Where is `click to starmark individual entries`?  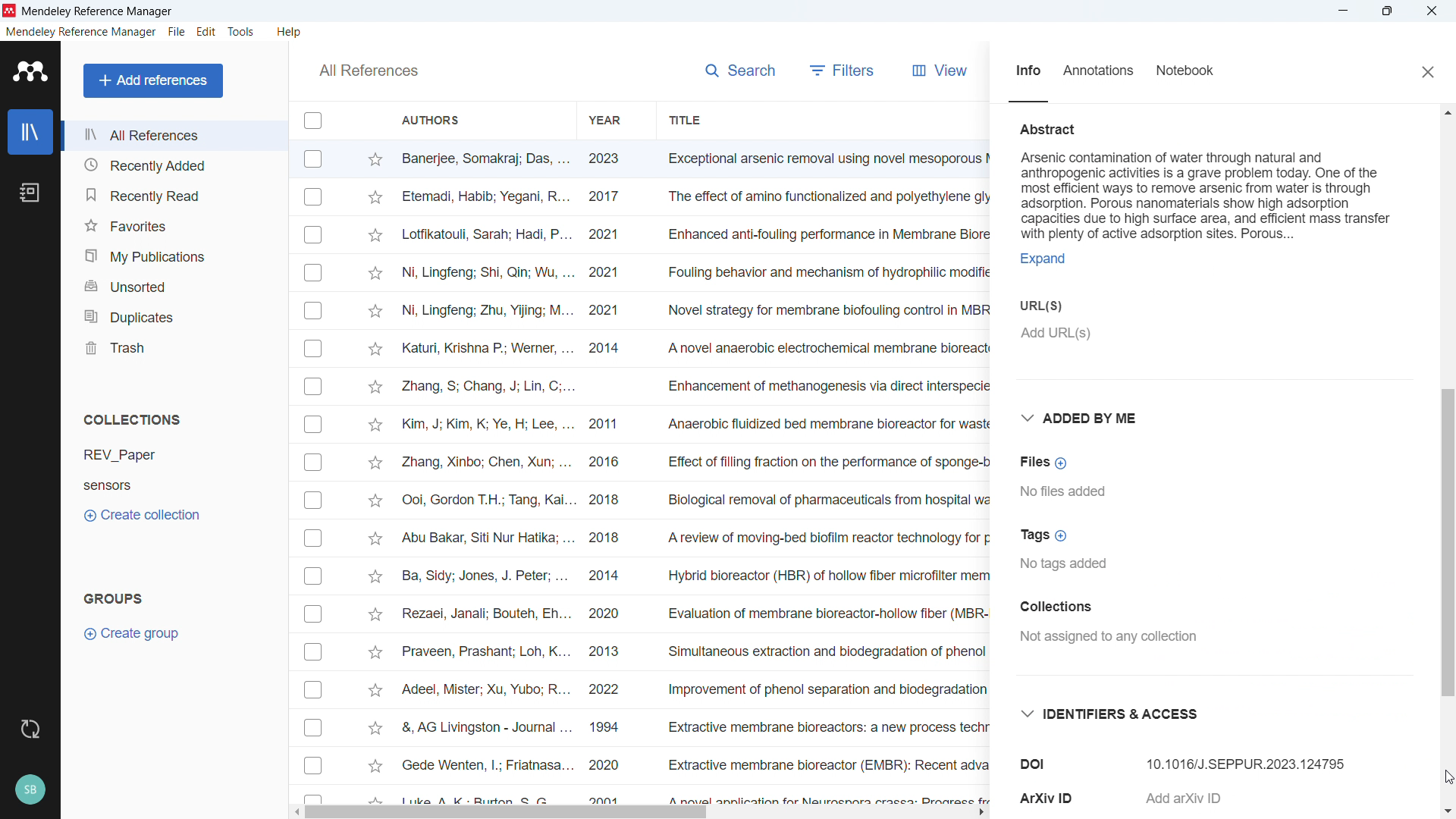
click to starmark individual entries is located at coordinates (378, 350).